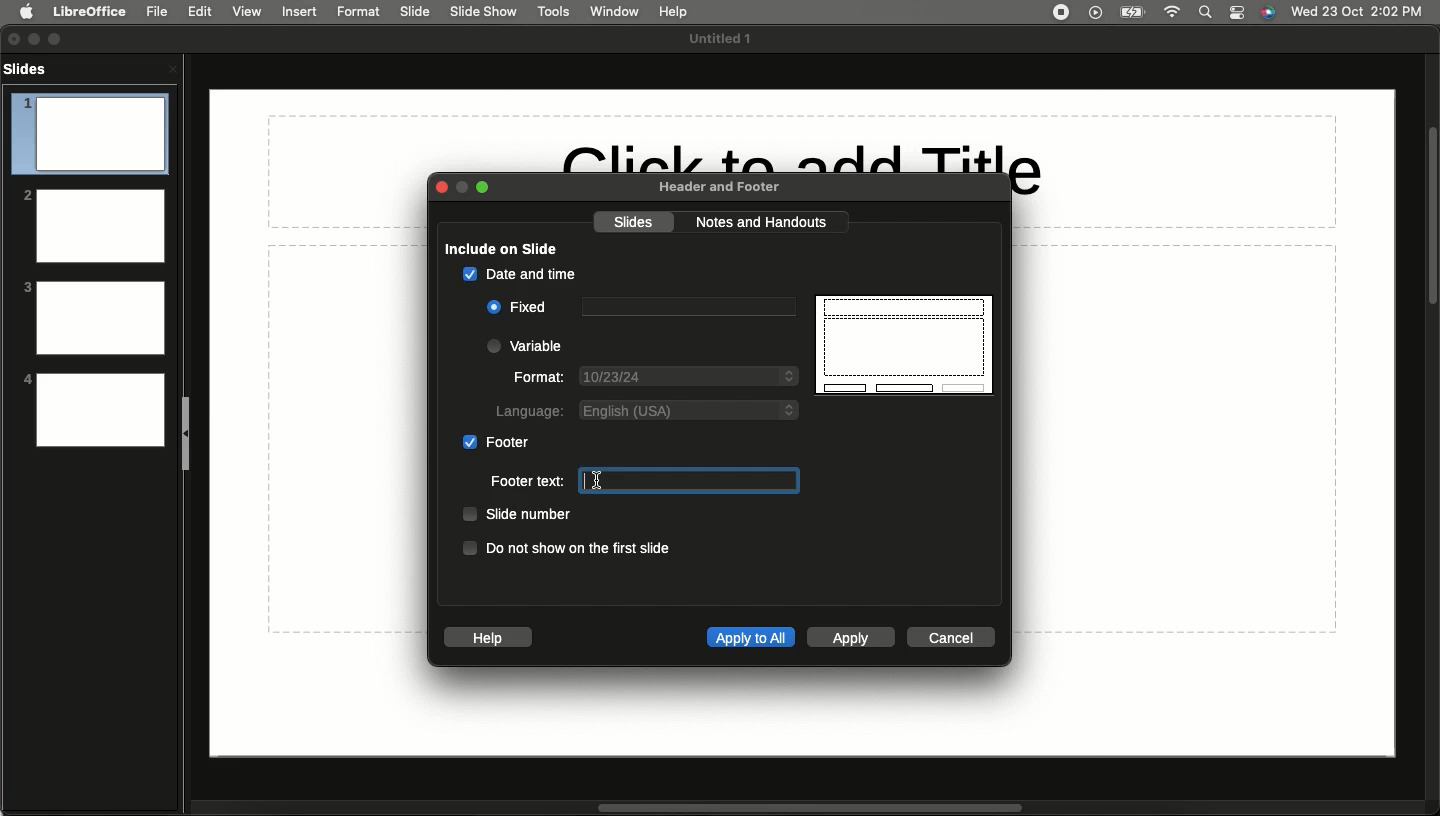 This screenshot has width=1440, height=816. Describe the element at coordinates (805, 157) in the screenshot. I see `Click to add Title` at that location.